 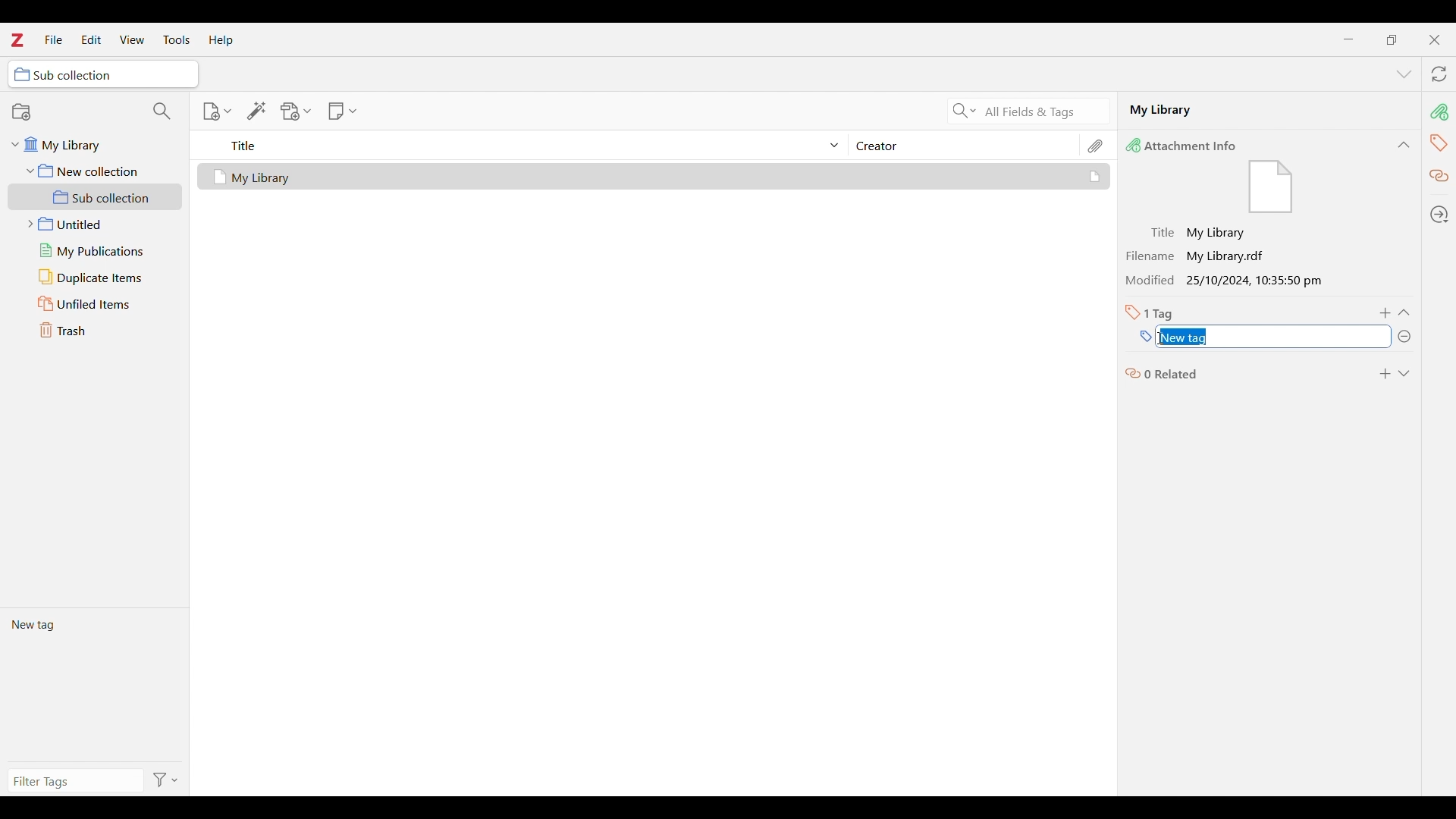 I want to click on Modified 25/10/2024, 10:35:50 pm, so click(x=1228, y=281).